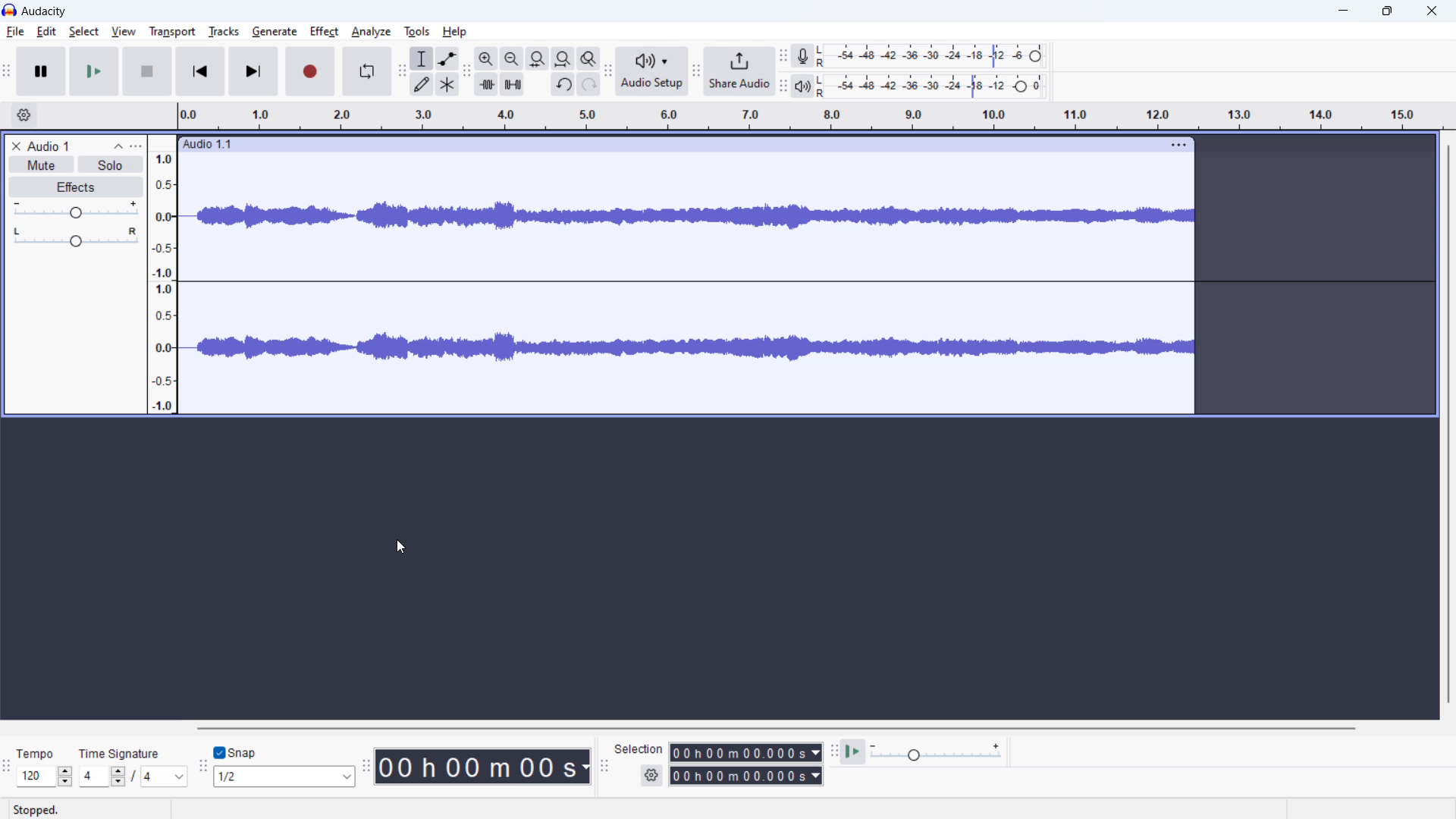  I want to click on select, so click(84, 32).